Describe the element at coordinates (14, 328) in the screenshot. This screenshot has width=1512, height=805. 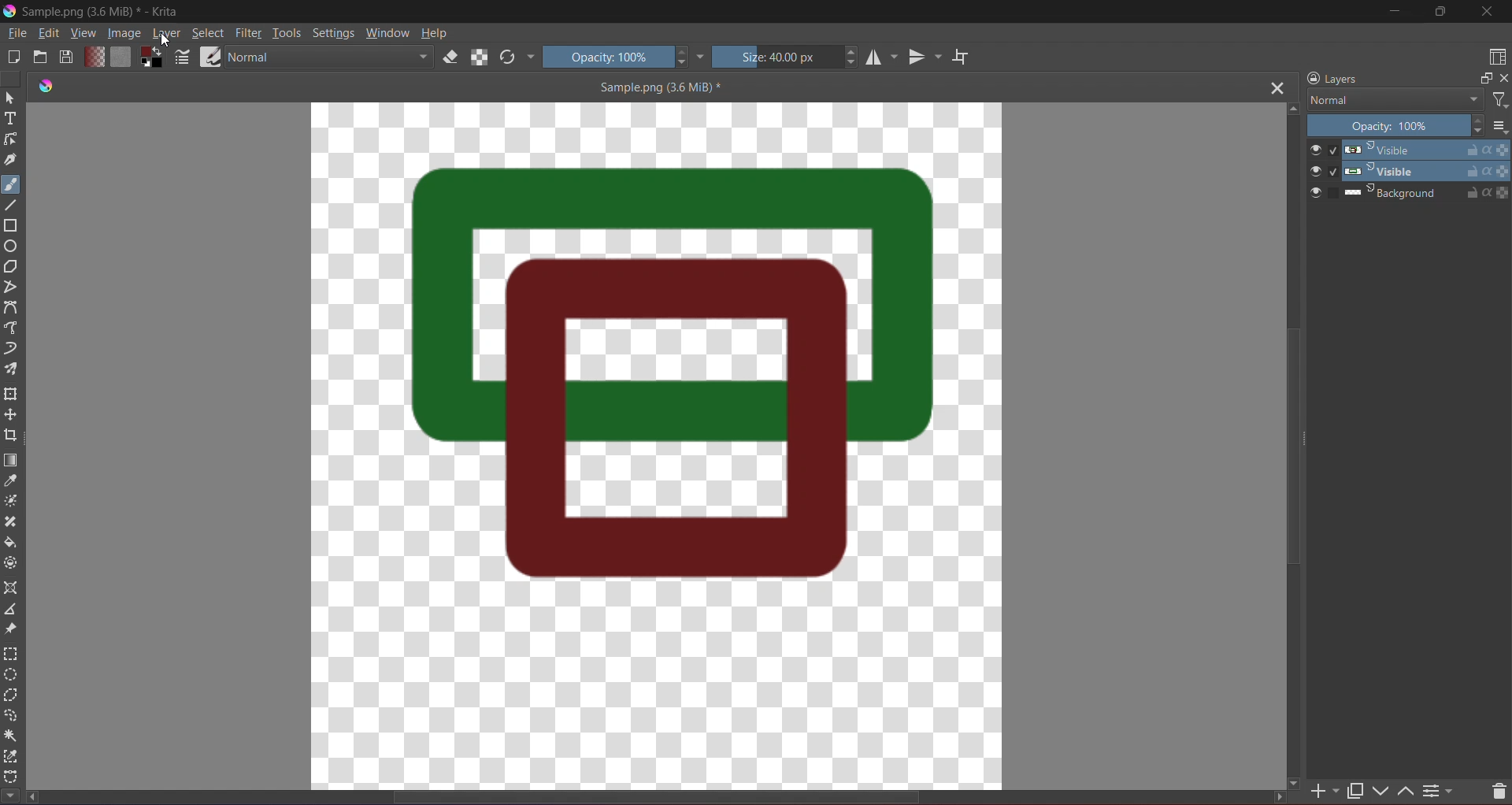
I see `Freehand Path` at that location.